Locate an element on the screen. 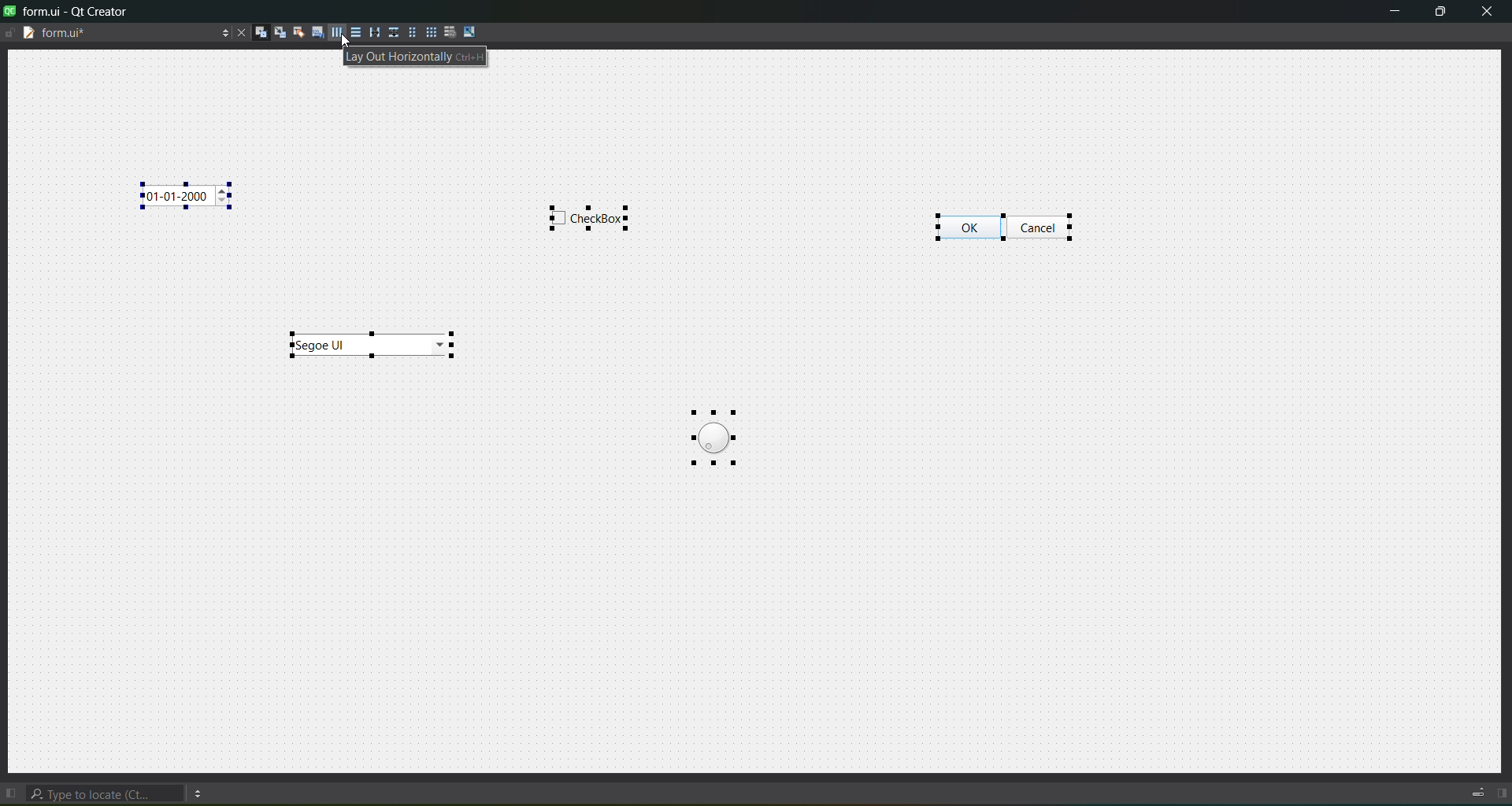 This screenshot has width=1512, height=806. vertical layout is located at coordinates (354, 33).